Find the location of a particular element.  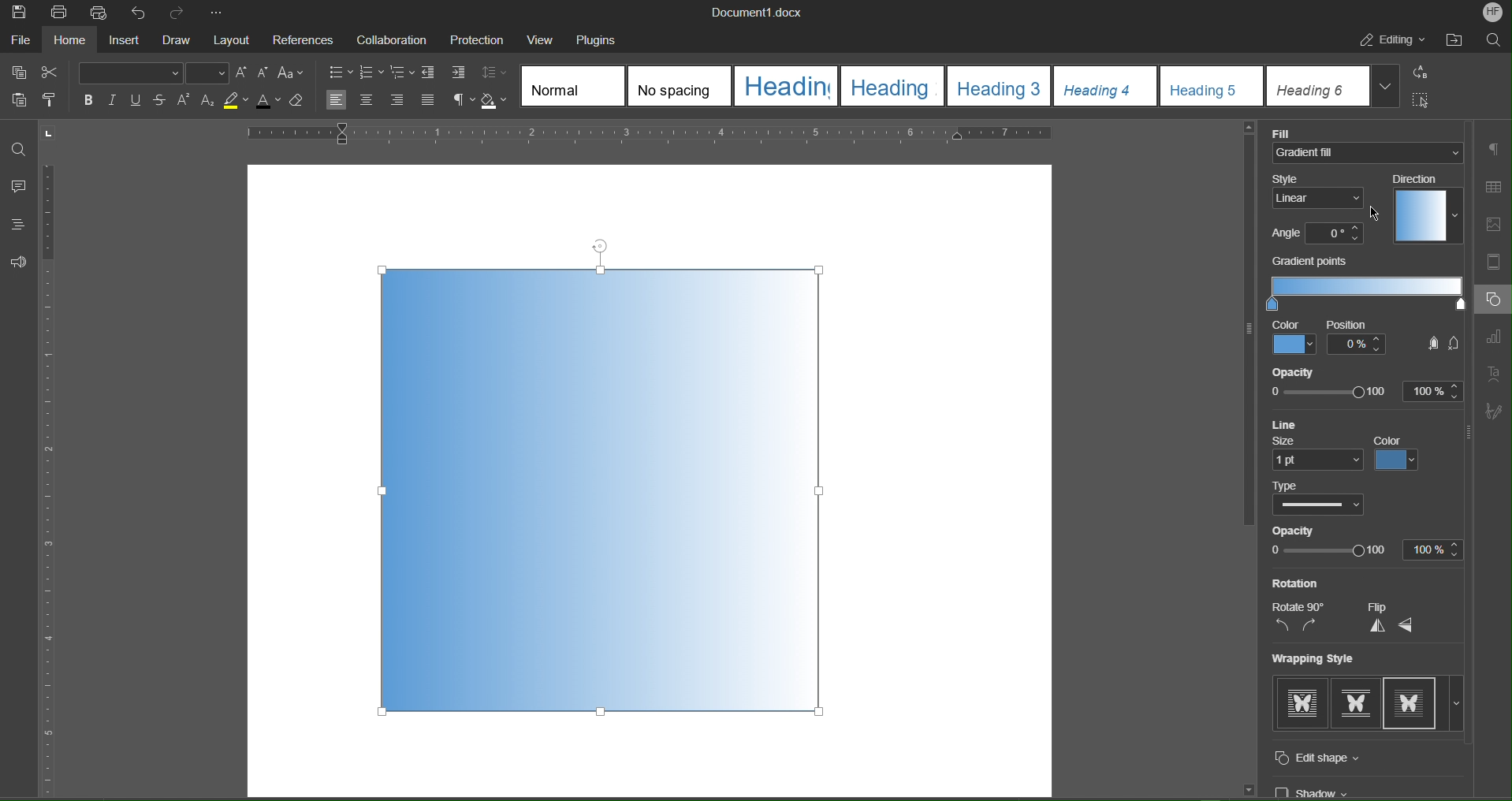

Subscript is located at coordinates (208, 102).